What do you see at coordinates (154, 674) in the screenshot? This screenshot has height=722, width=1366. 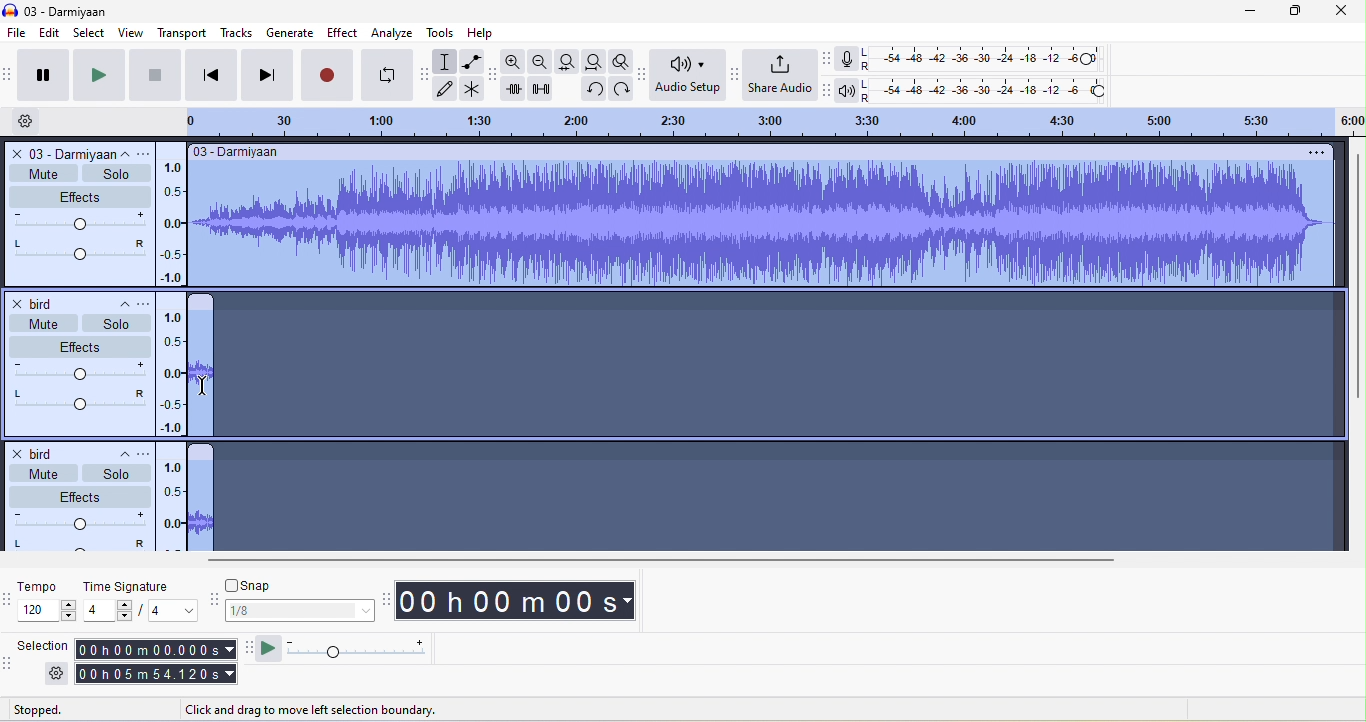 I see `00 h 05 m 54.1.120 s` at bounding box center [154, 674].